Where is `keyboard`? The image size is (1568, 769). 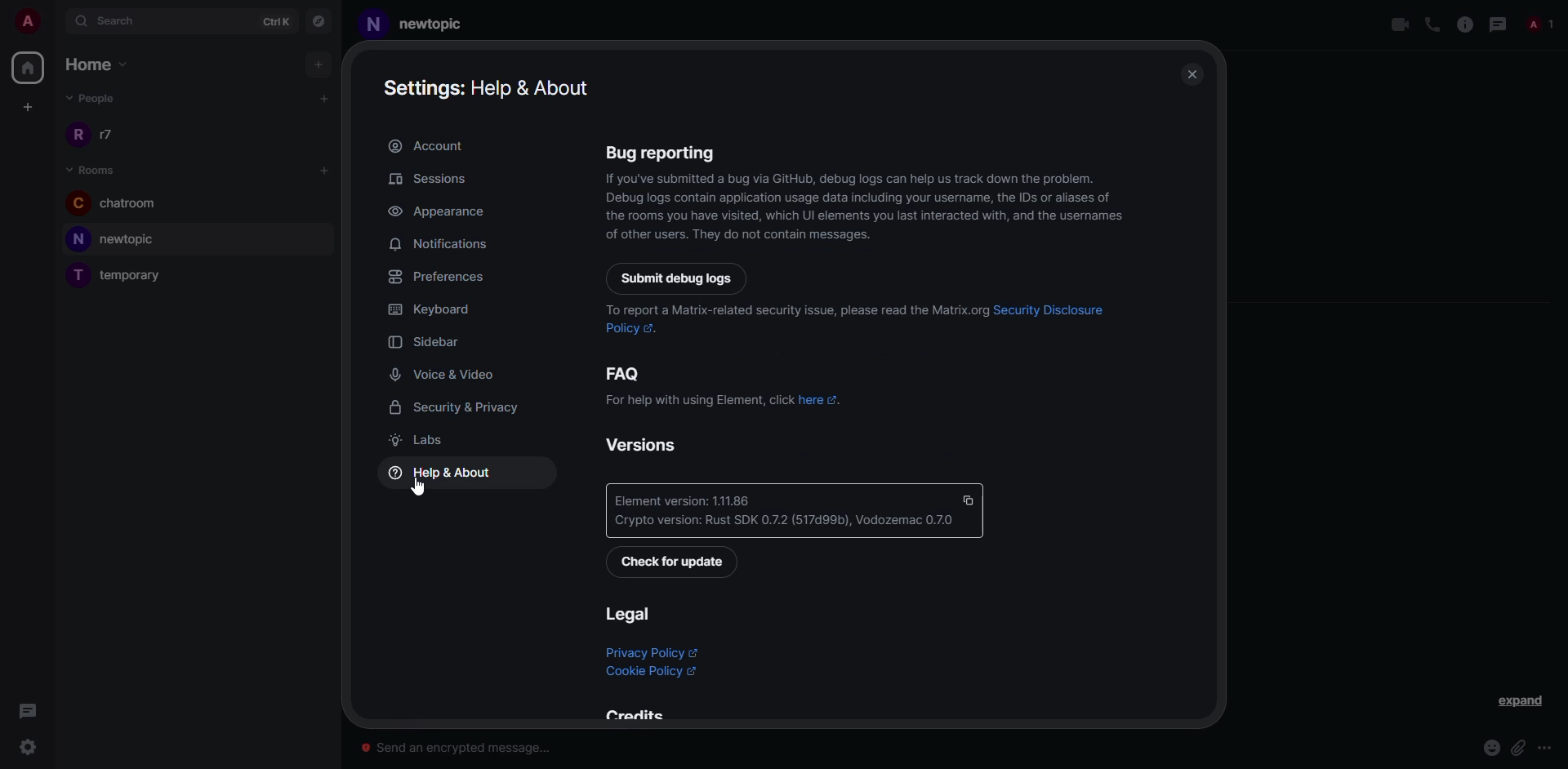 keyboard is located at coordinates (434, 309).